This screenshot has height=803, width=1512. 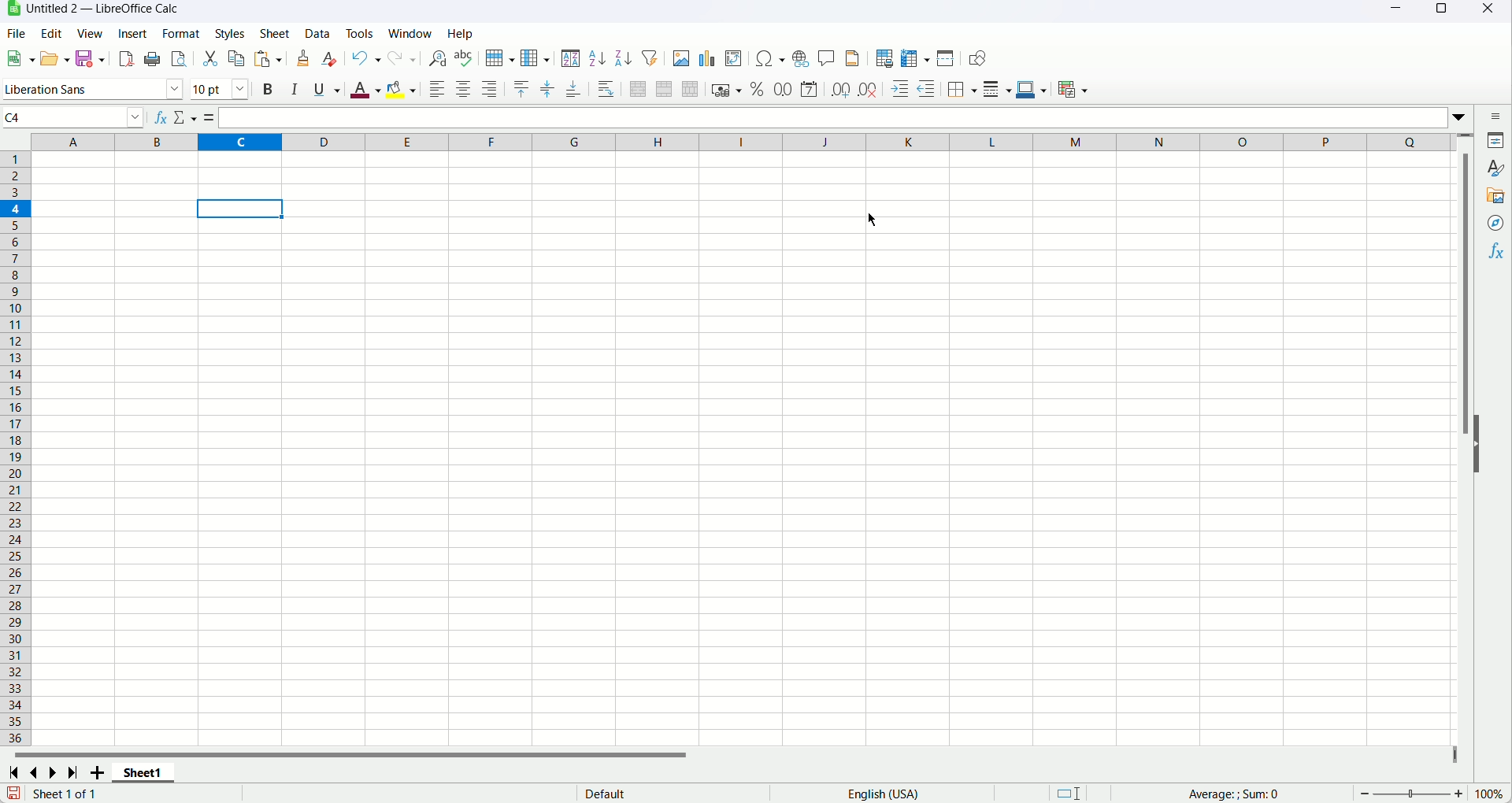 What do you see at coordinates (571, 58) in the screenshot?
I see `Sort` at bounding box center [571, 58].